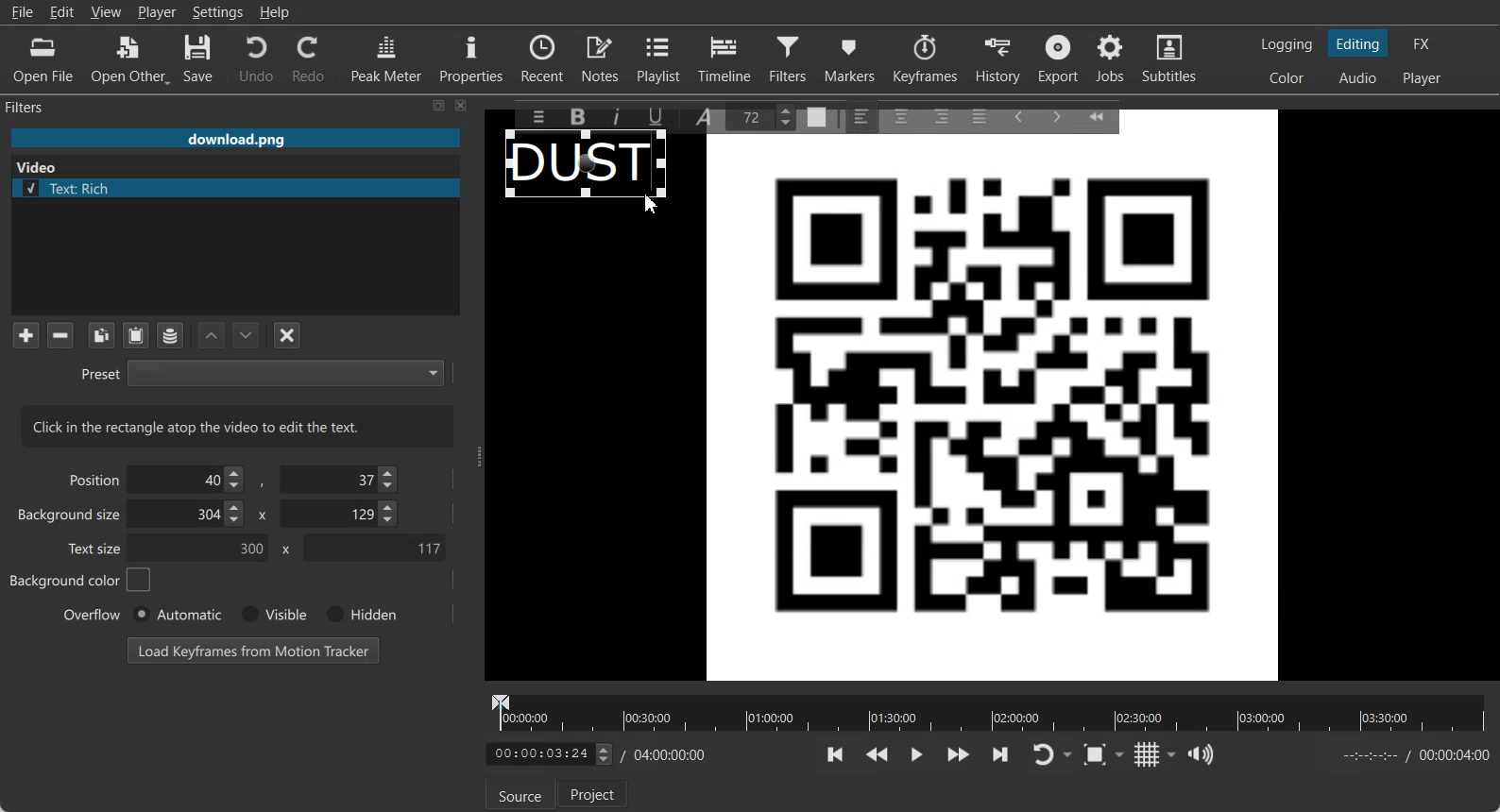 This screenshot has height=812, width=1500. What do you see at coordinates (158, 12) in the screenshot?
I see `Player` at bounding box center [158, 12].